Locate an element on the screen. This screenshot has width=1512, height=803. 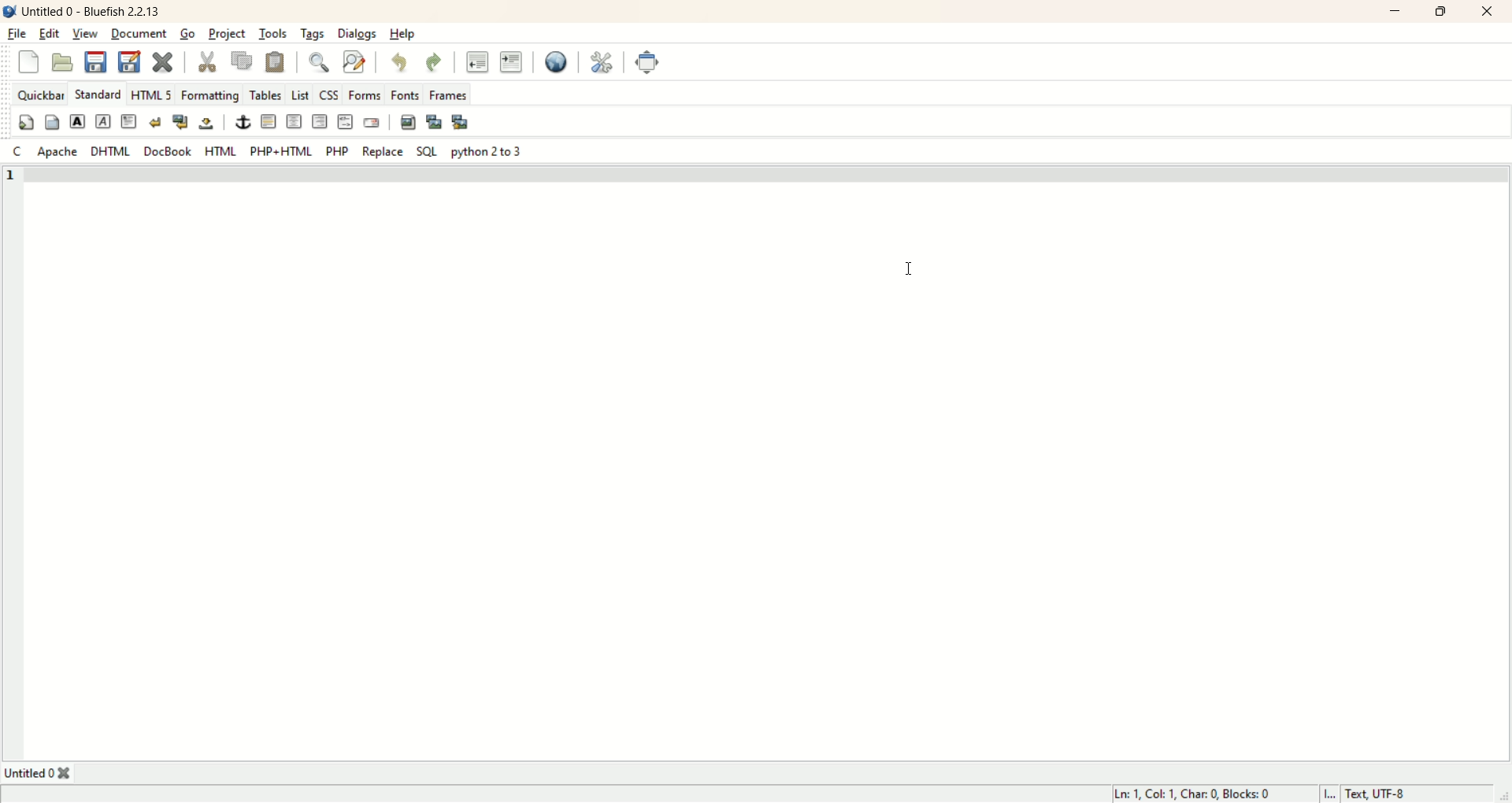
horizontal rule is located at coordinates (268, 120).